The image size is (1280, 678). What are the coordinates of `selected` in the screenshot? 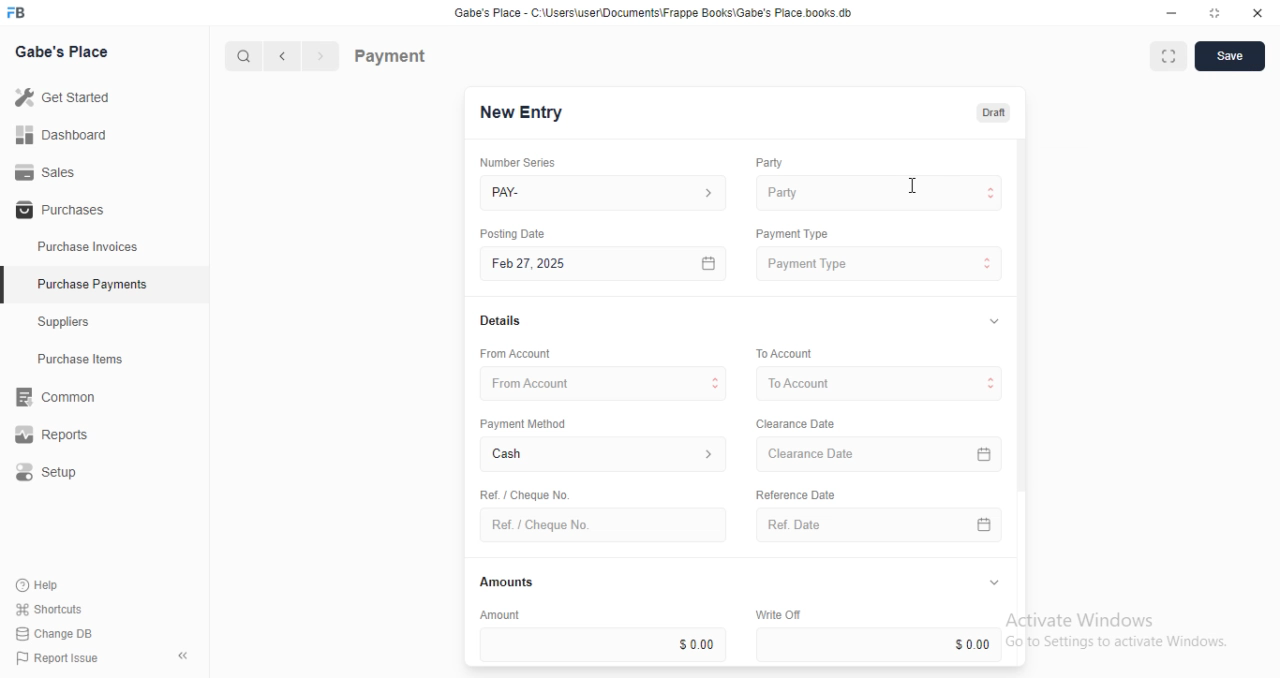 It's located at (8, 287).